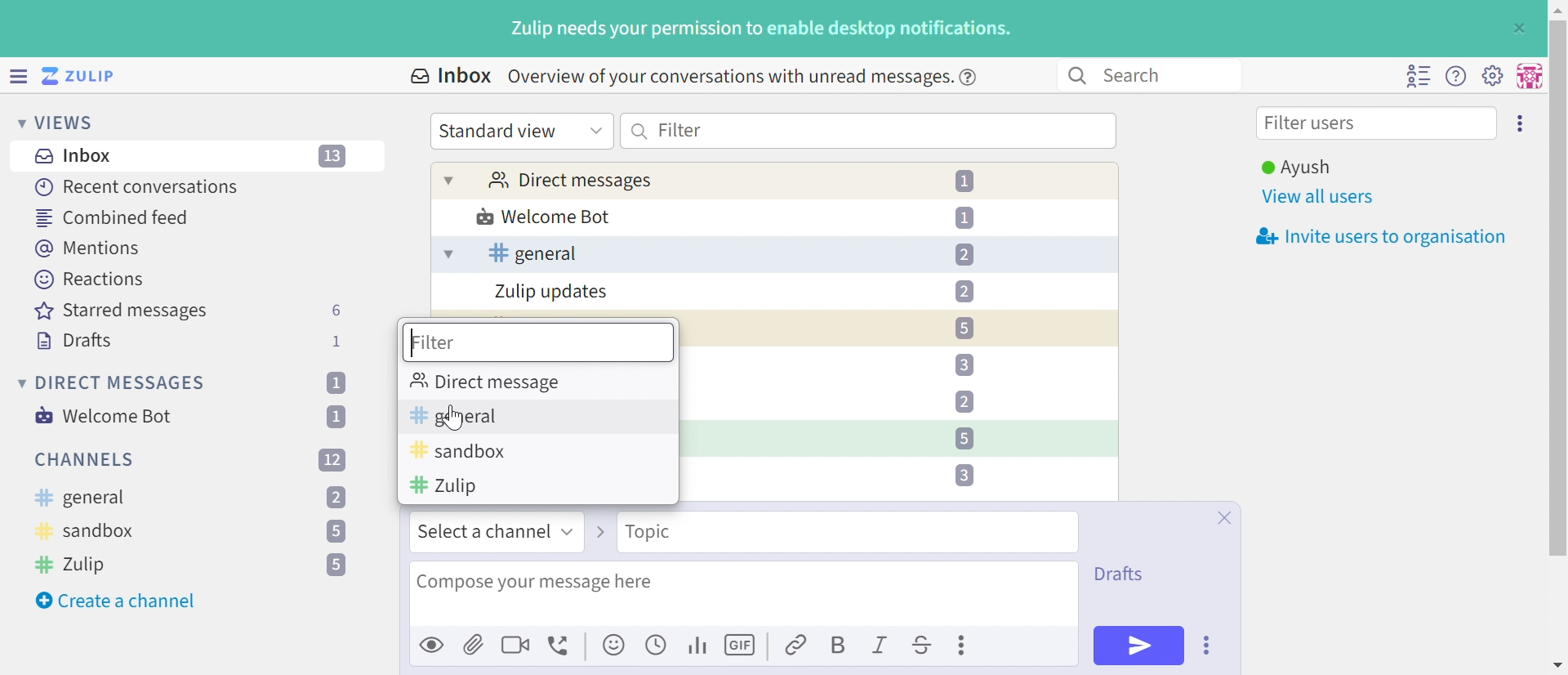 This screenshot has width=1568, height=675. Describe the element at coordinates (545, 218) in the screenshot. I see `Welcome Bot` at that location.